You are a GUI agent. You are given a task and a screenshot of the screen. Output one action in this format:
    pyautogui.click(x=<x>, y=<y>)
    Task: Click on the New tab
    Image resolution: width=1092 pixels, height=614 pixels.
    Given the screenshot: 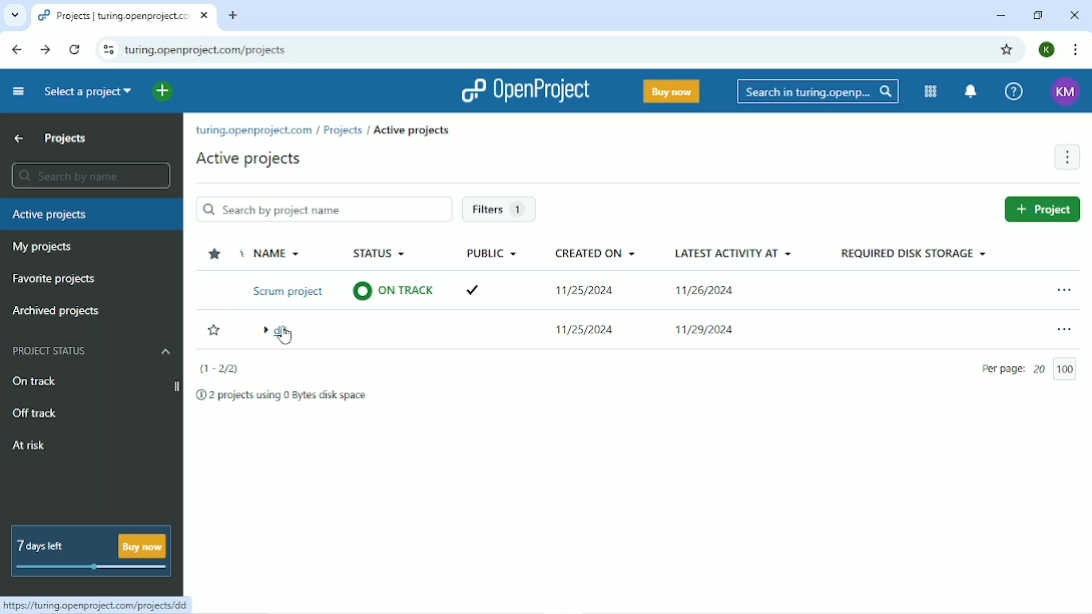 What is the action you would take?
    pyautogui.click(x=233, y=15)
    